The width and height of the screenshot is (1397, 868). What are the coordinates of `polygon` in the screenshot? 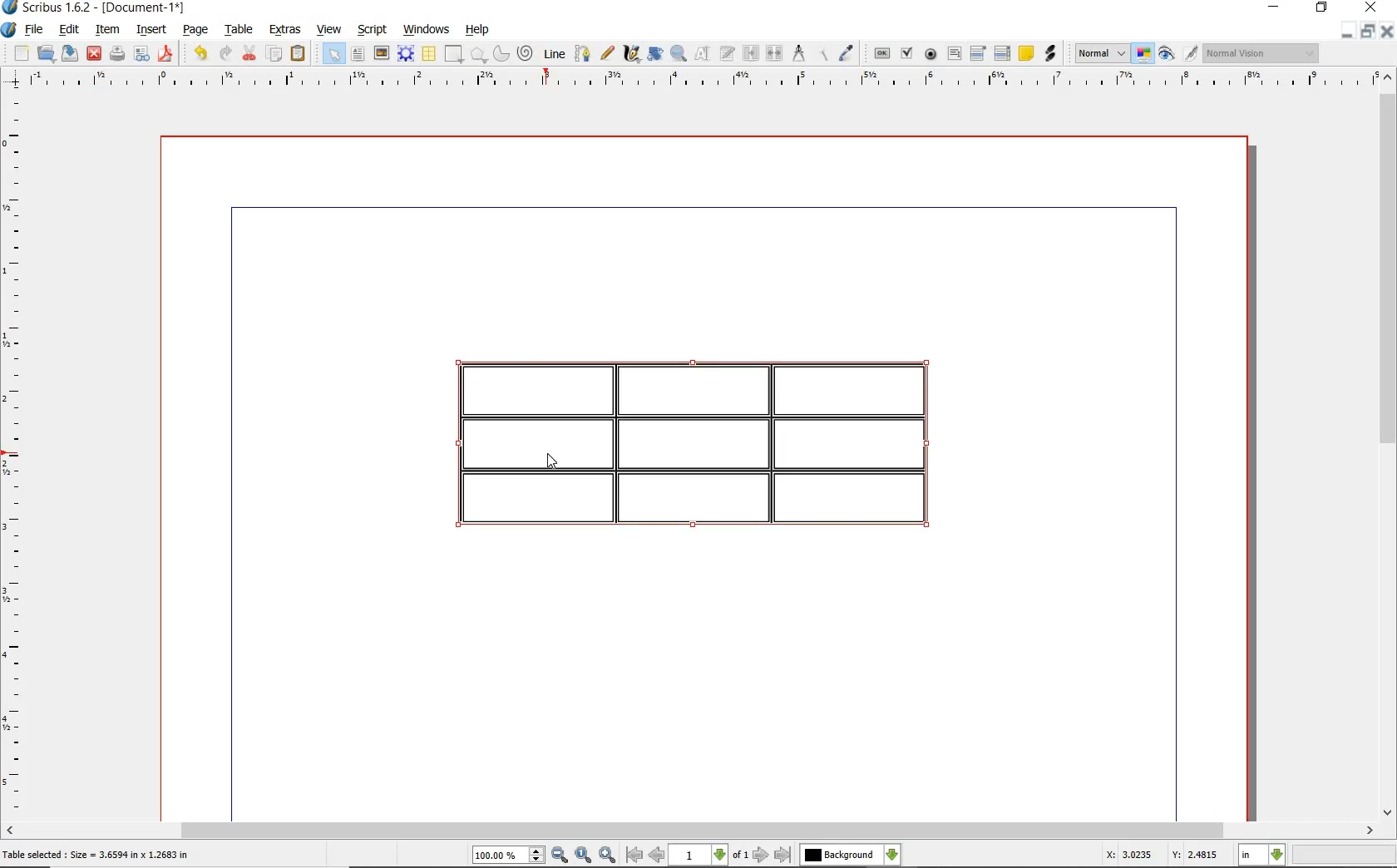 It's located at (479, 55).